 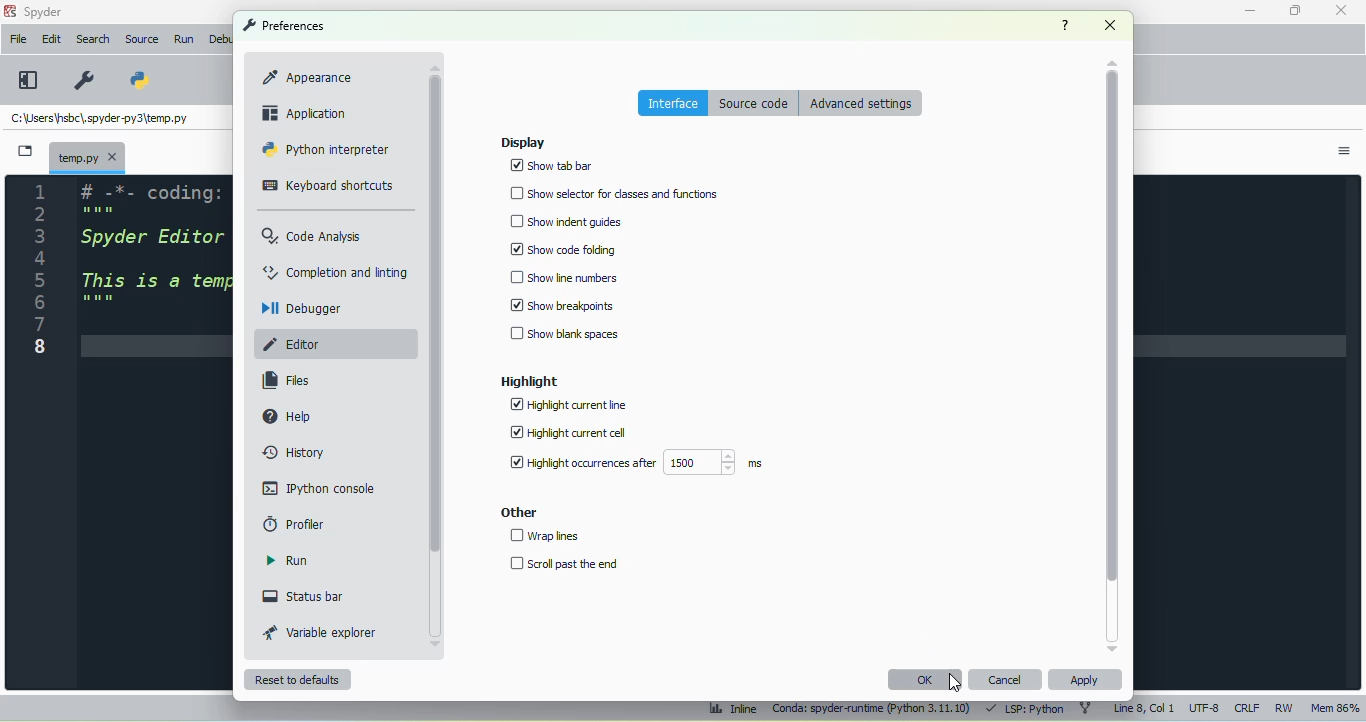 What do you see at coordinates (1066, 25) in the screenshot?
I see `help` at bounding box center [1066, 25].